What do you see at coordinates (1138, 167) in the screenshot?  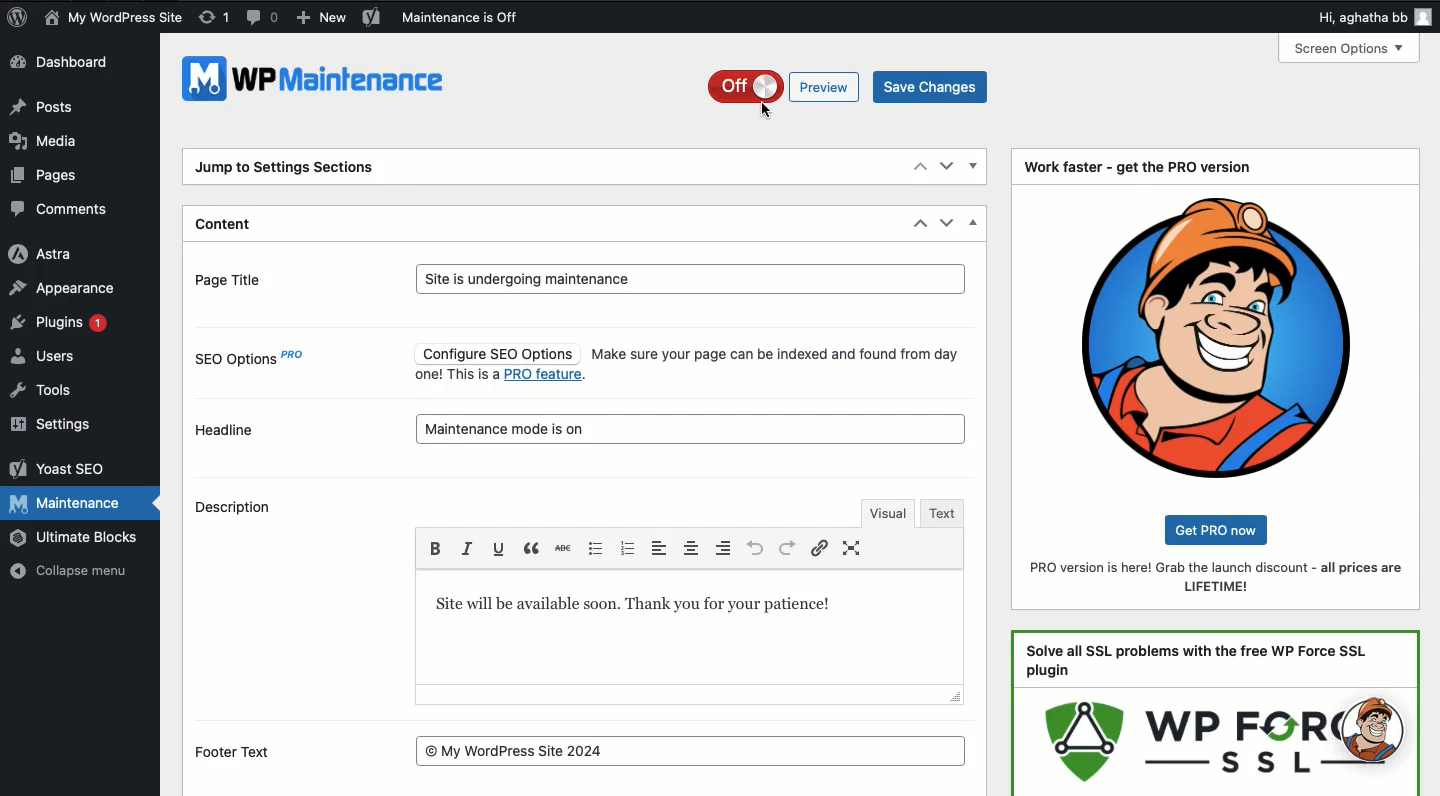 I see `Work faster - get the PRO version ` at bounding box center [1138, 167].